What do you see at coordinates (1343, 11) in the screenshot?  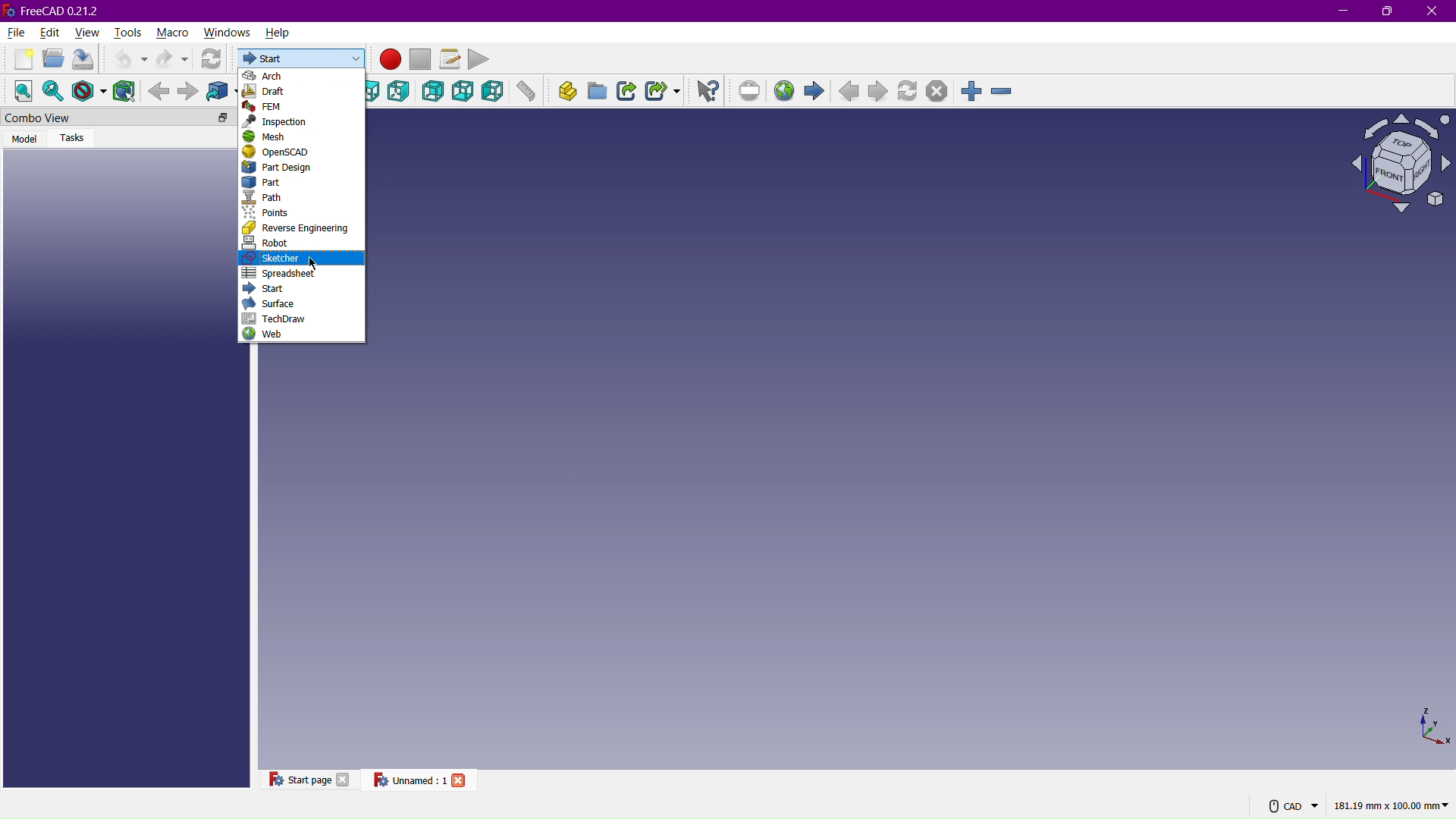 I see `Minimize` at bounding box center [1343, 11].